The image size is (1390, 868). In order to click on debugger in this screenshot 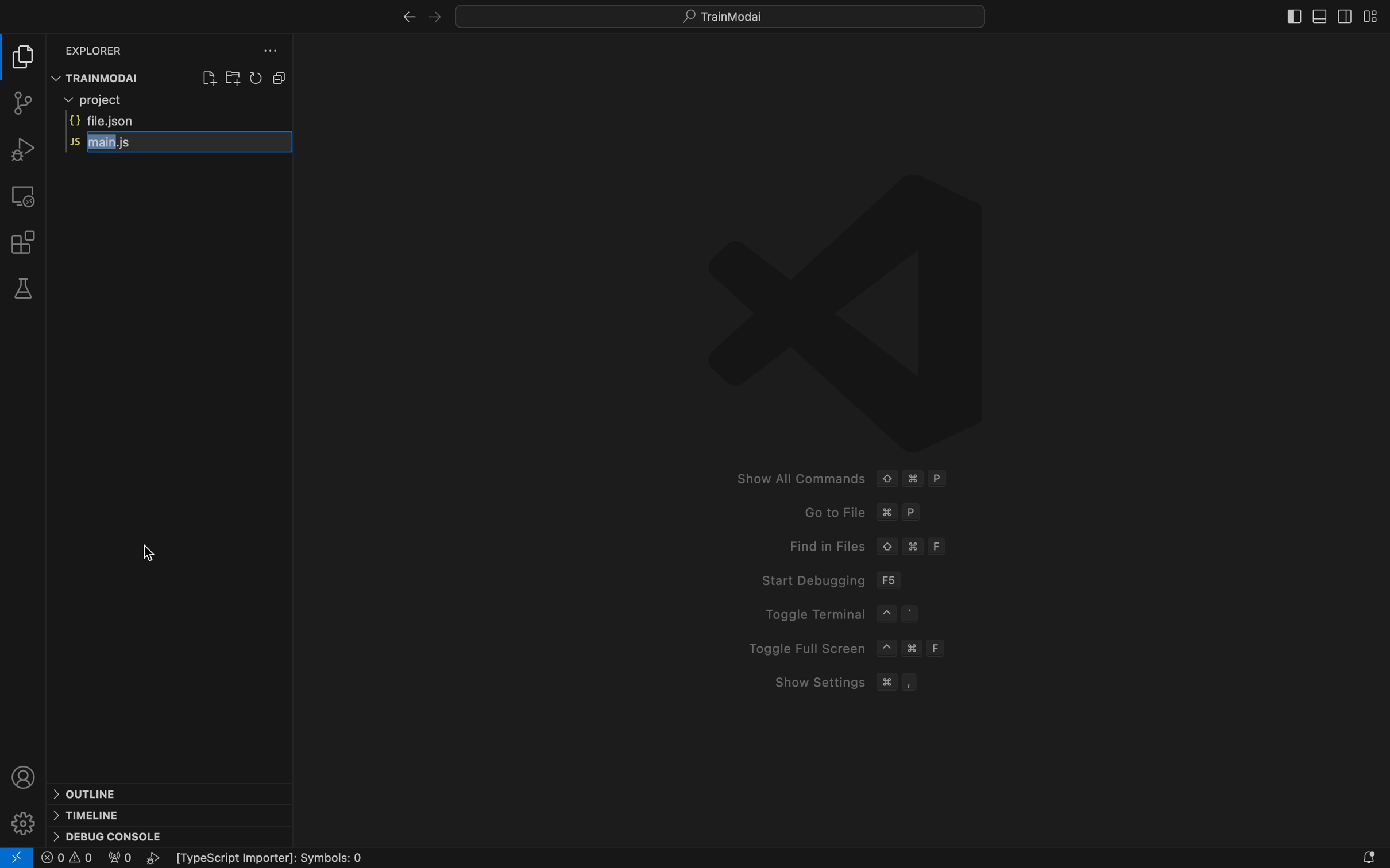, I will do `click(22, 148)`.